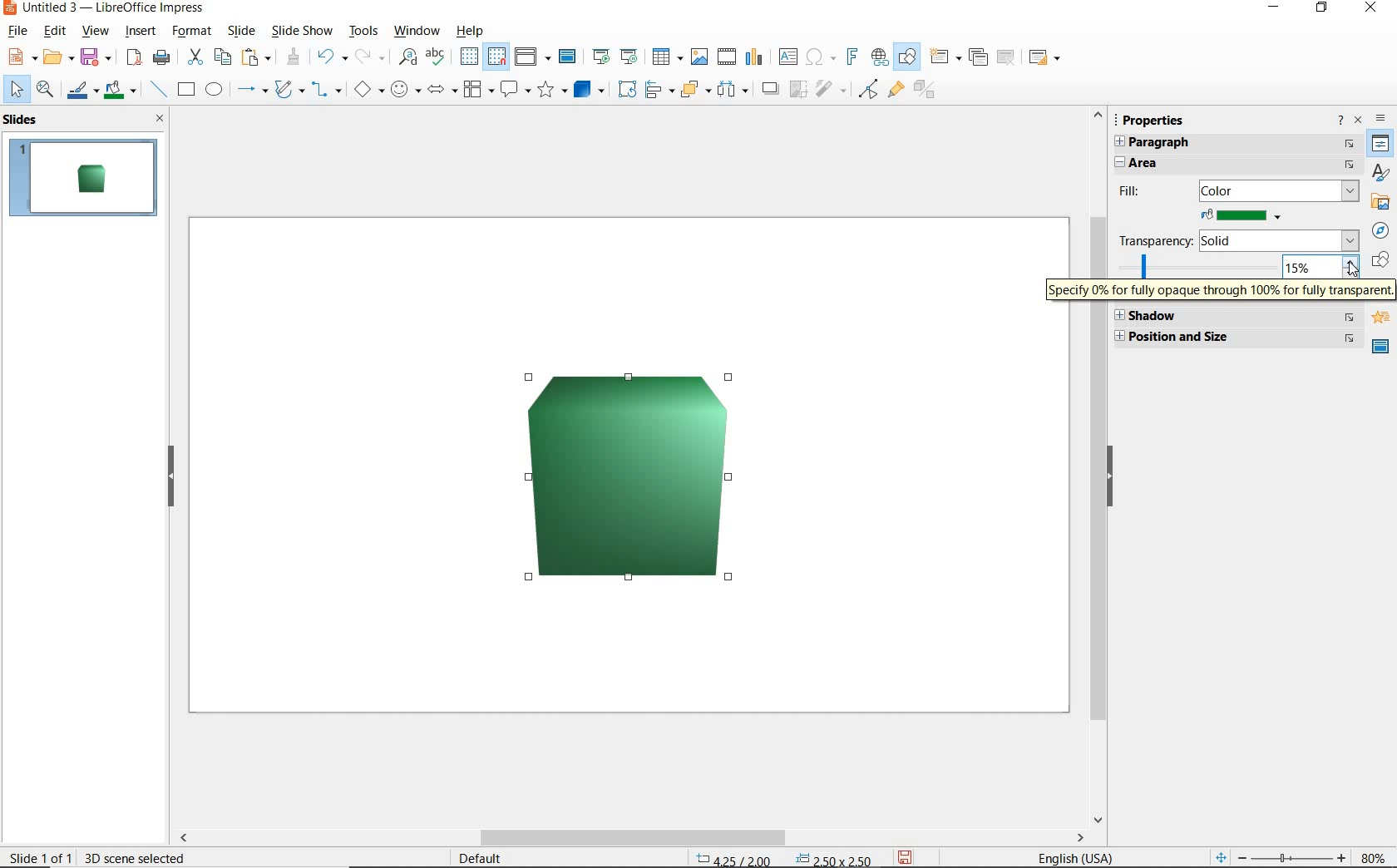 The image size is (1397, 868). What do you see at coordinates (1341, 121) in the screenshot?
I see `HELP ABOUT THIS SIDEBAR DECK` at bounding box center [1341, 121].